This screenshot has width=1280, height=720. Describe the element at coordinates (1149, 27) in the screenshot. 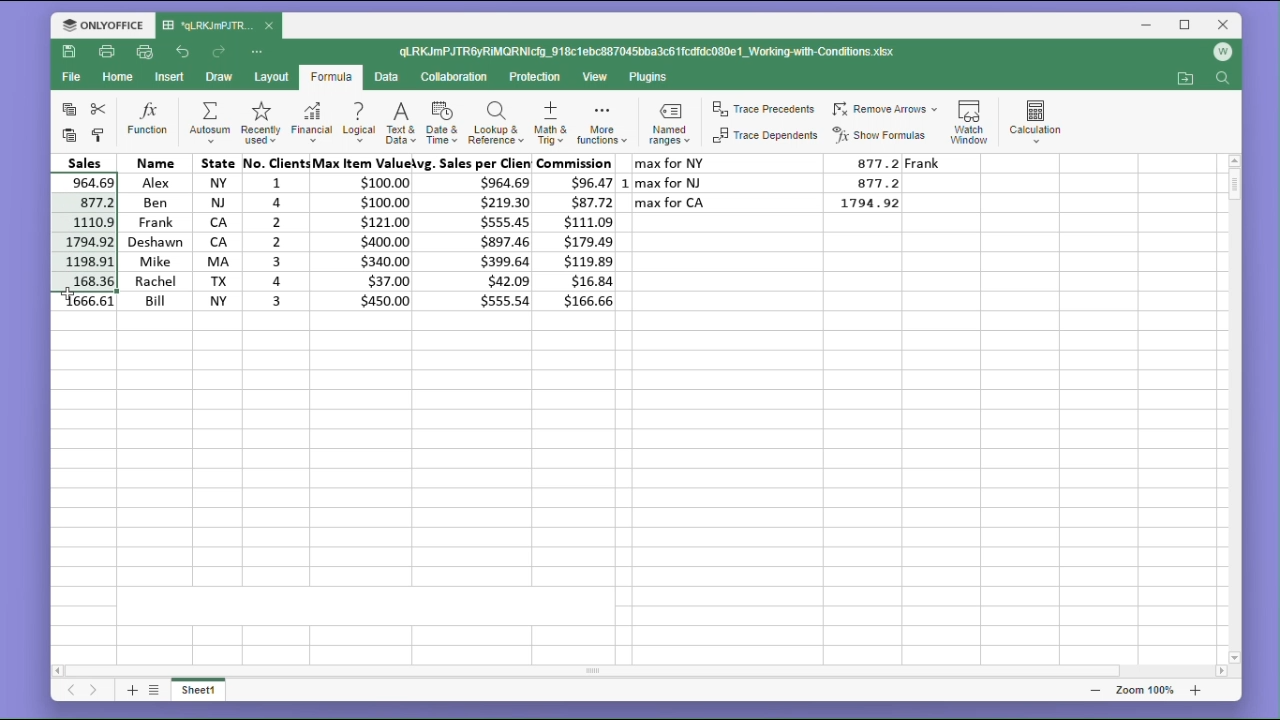

I see `minimize` at that location.